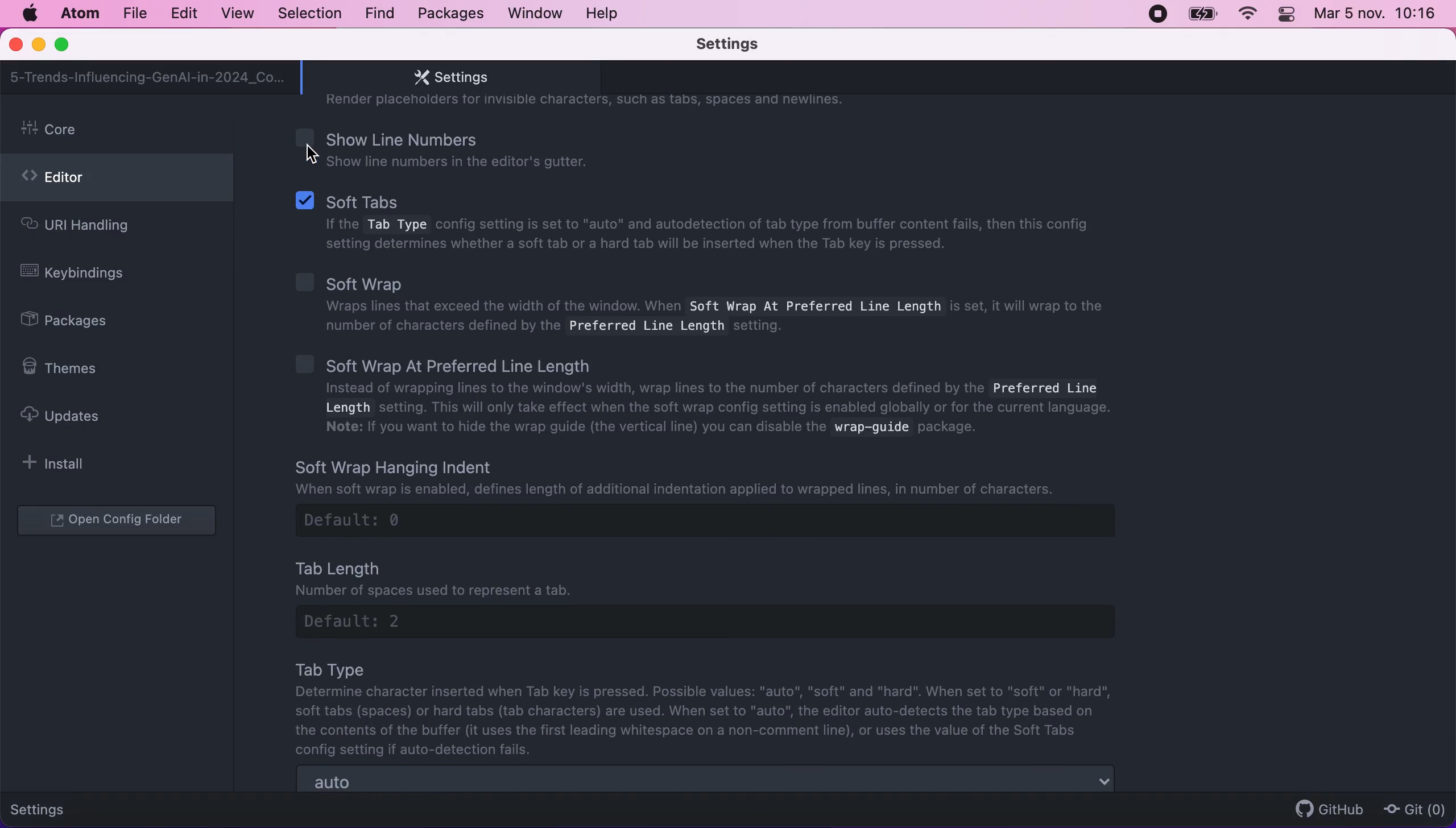 Image resolution: width=1456 pixels, height=828 pixels. Describe the element at coordinates (120, 130) in the screenshot. I see `core` at that location.